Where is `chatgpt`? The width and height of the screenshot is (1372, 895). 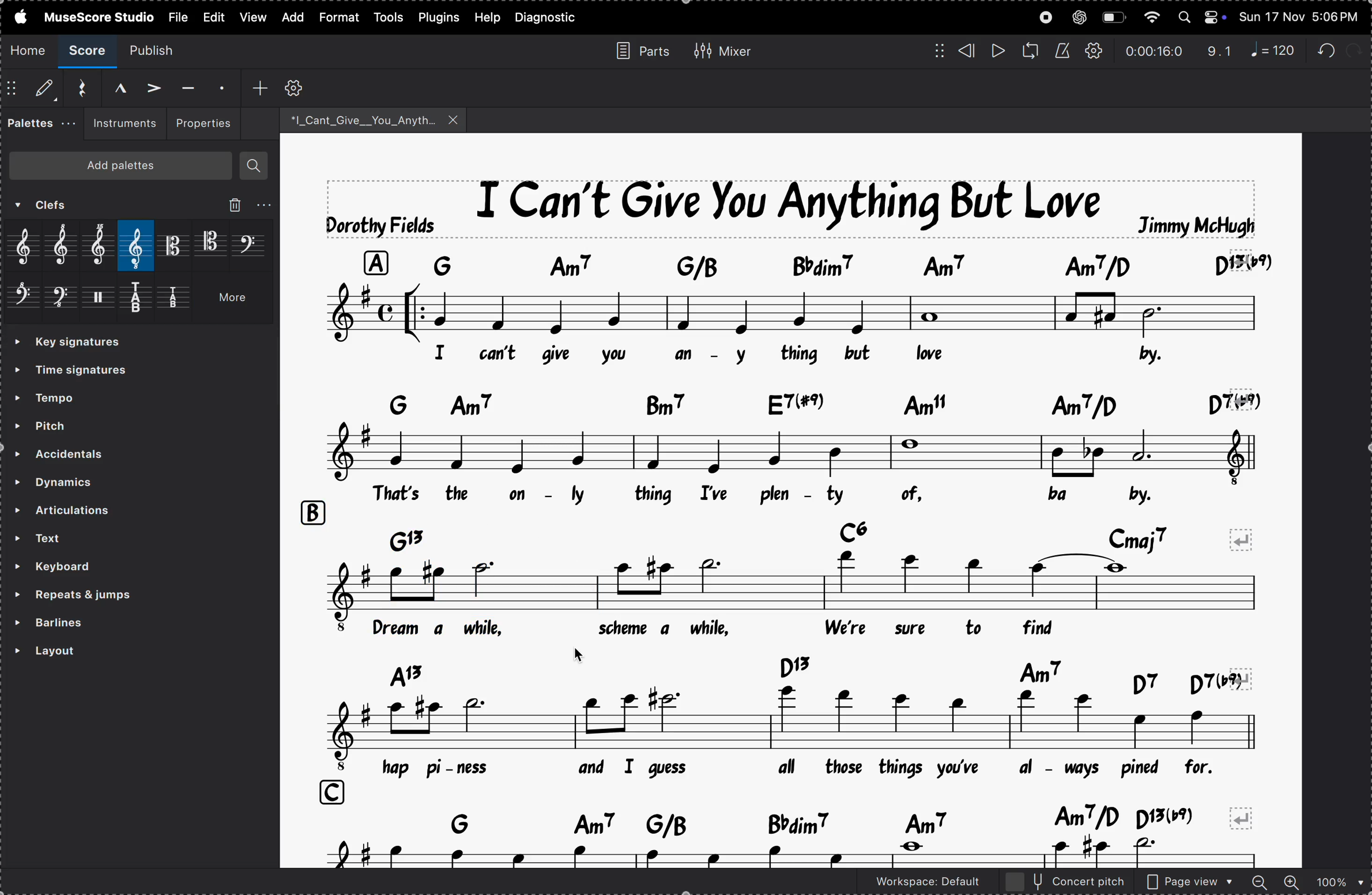
chatgpt is located at coordinates (1079, 17).